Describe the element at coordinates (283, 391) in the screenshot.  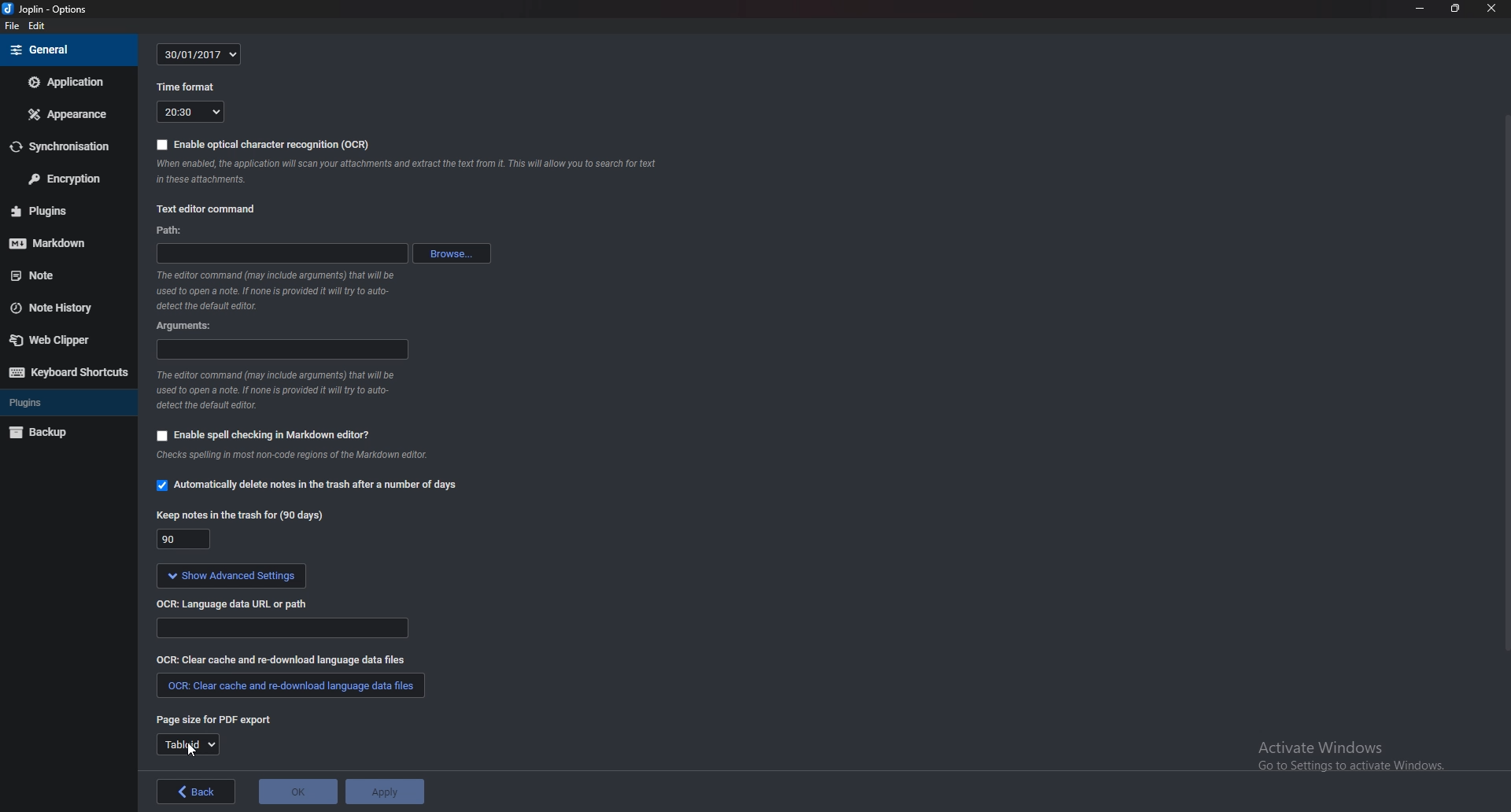
I see `info` at that location.